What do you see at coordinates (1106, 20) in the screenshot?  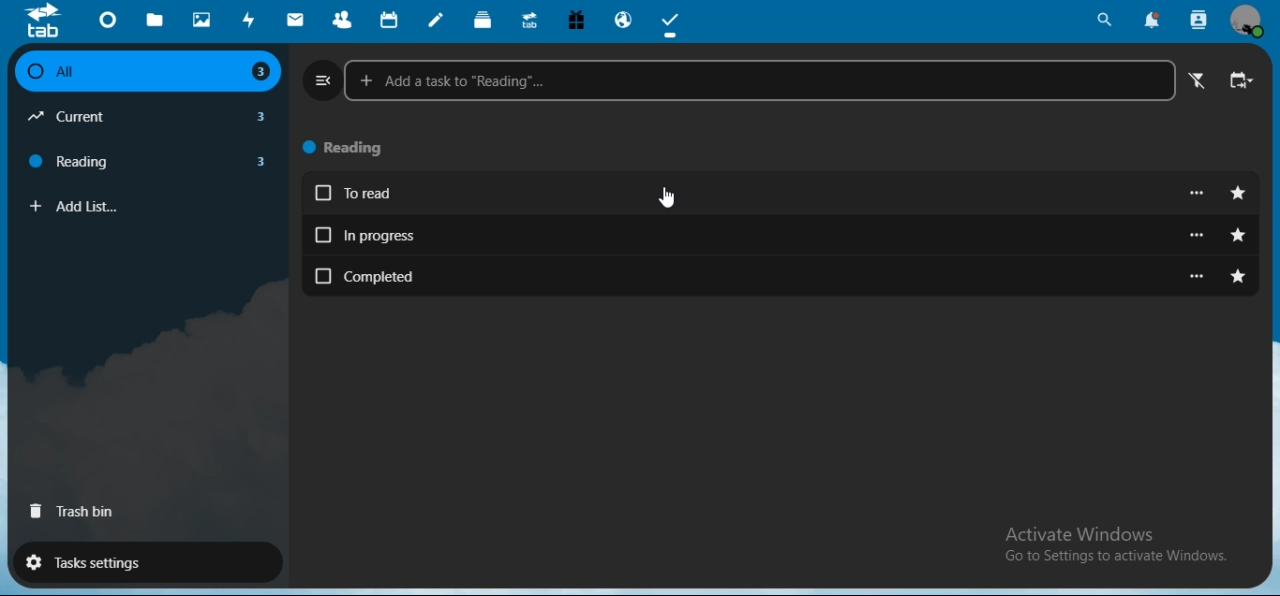 I see `search` at bounding box center [1106, 20].